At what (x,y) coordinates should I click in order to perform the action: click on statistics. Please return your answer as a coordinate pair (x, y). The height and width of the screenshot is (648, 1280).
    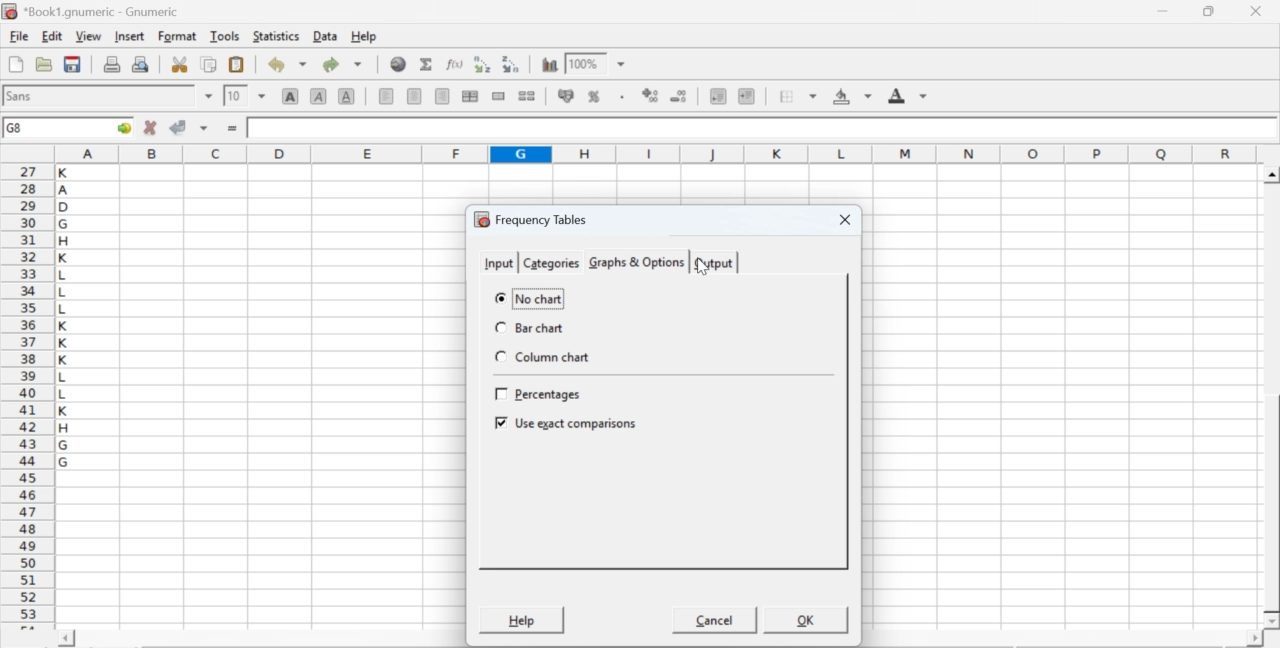
    Looking at the image, I should click on (274, 36).